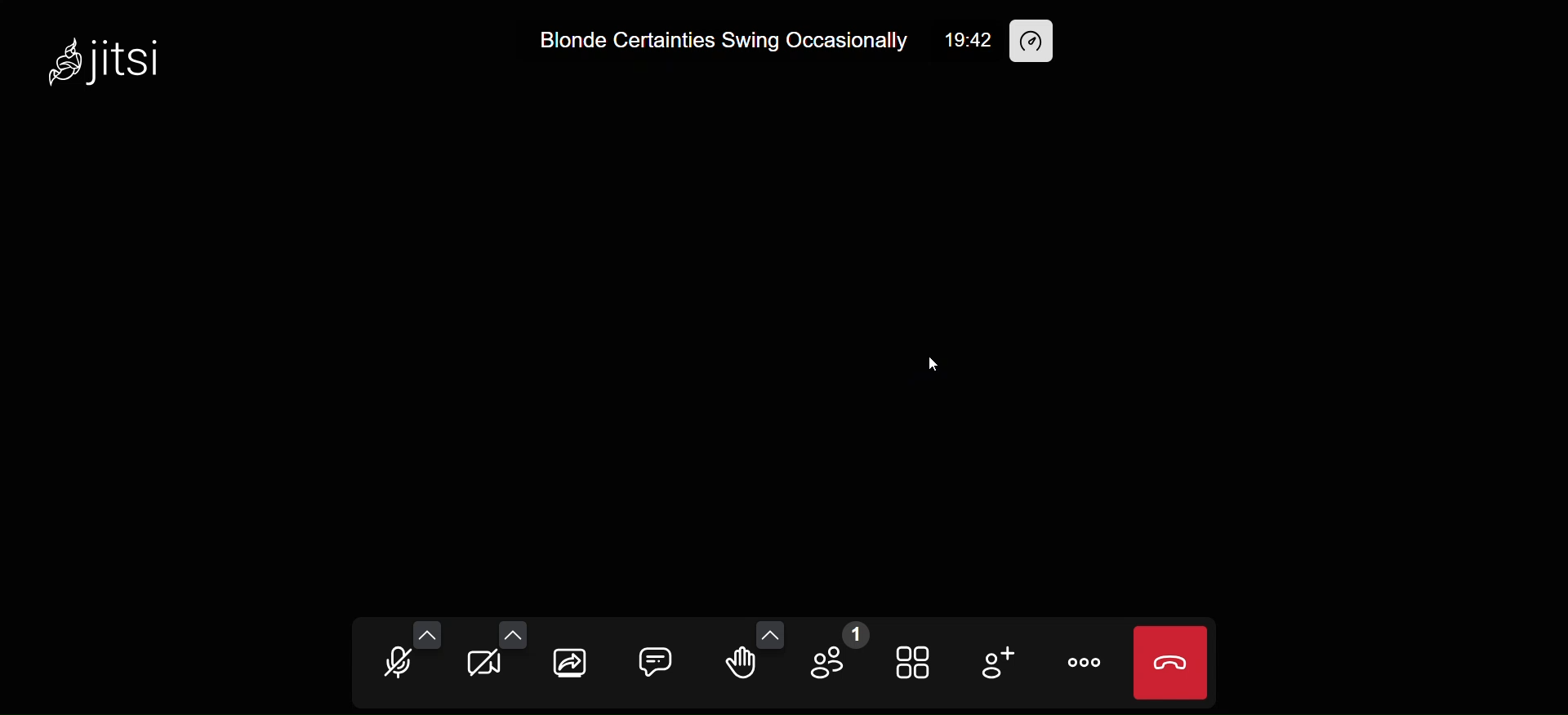 This screenshot has width=1568, height=715. I want to click on more, so click(1083, 663).